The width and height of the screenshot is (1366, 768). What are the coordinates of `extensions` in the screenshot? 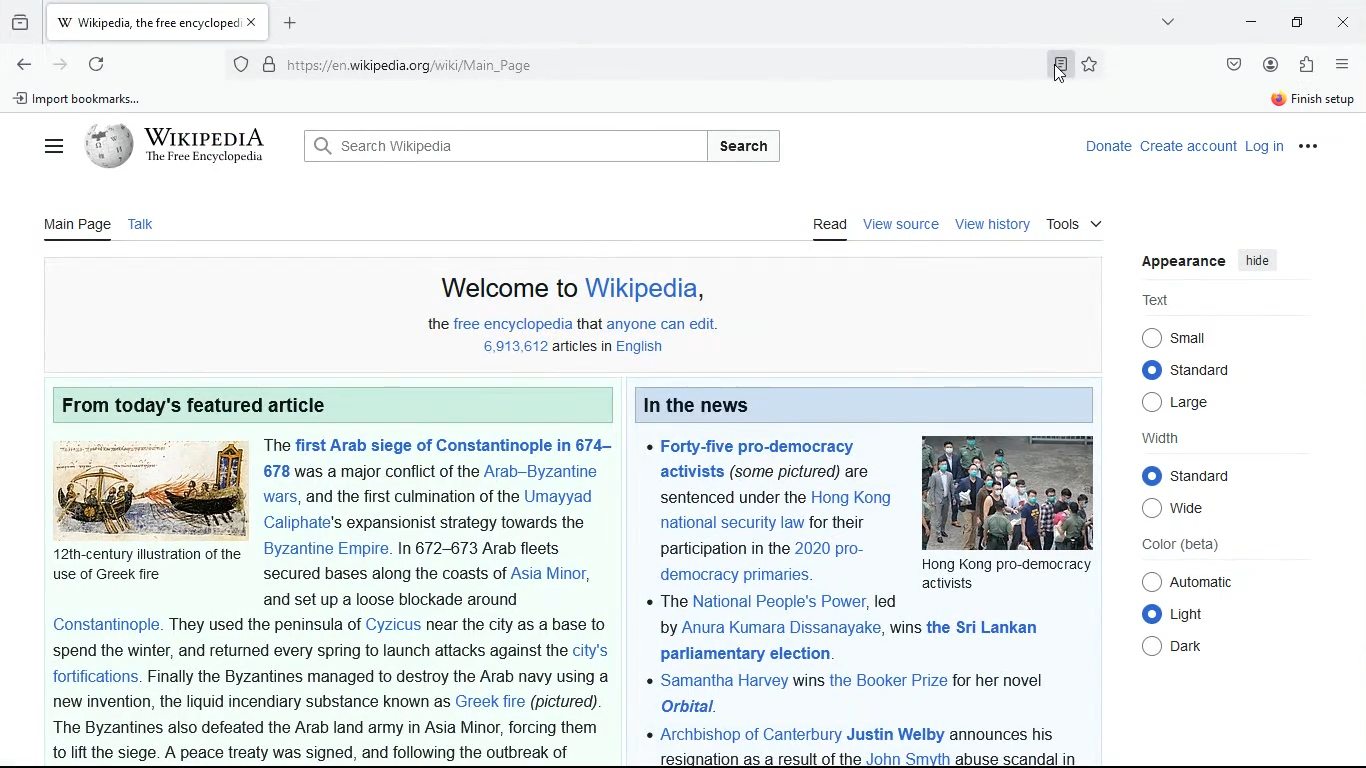 It's located at (1305, 63).